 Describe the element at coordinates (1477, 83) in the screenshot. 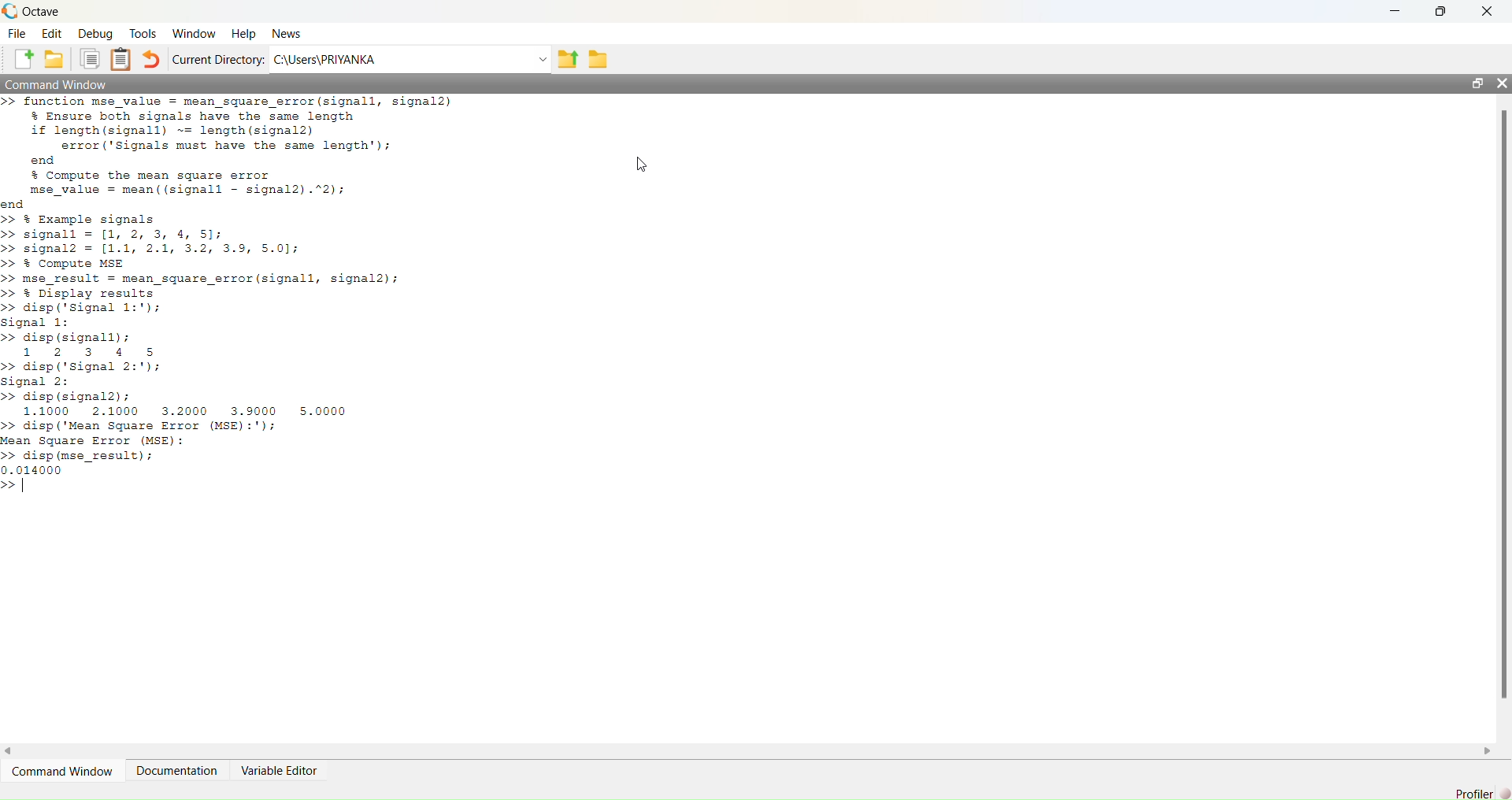

I see `open in separate window` at that location.